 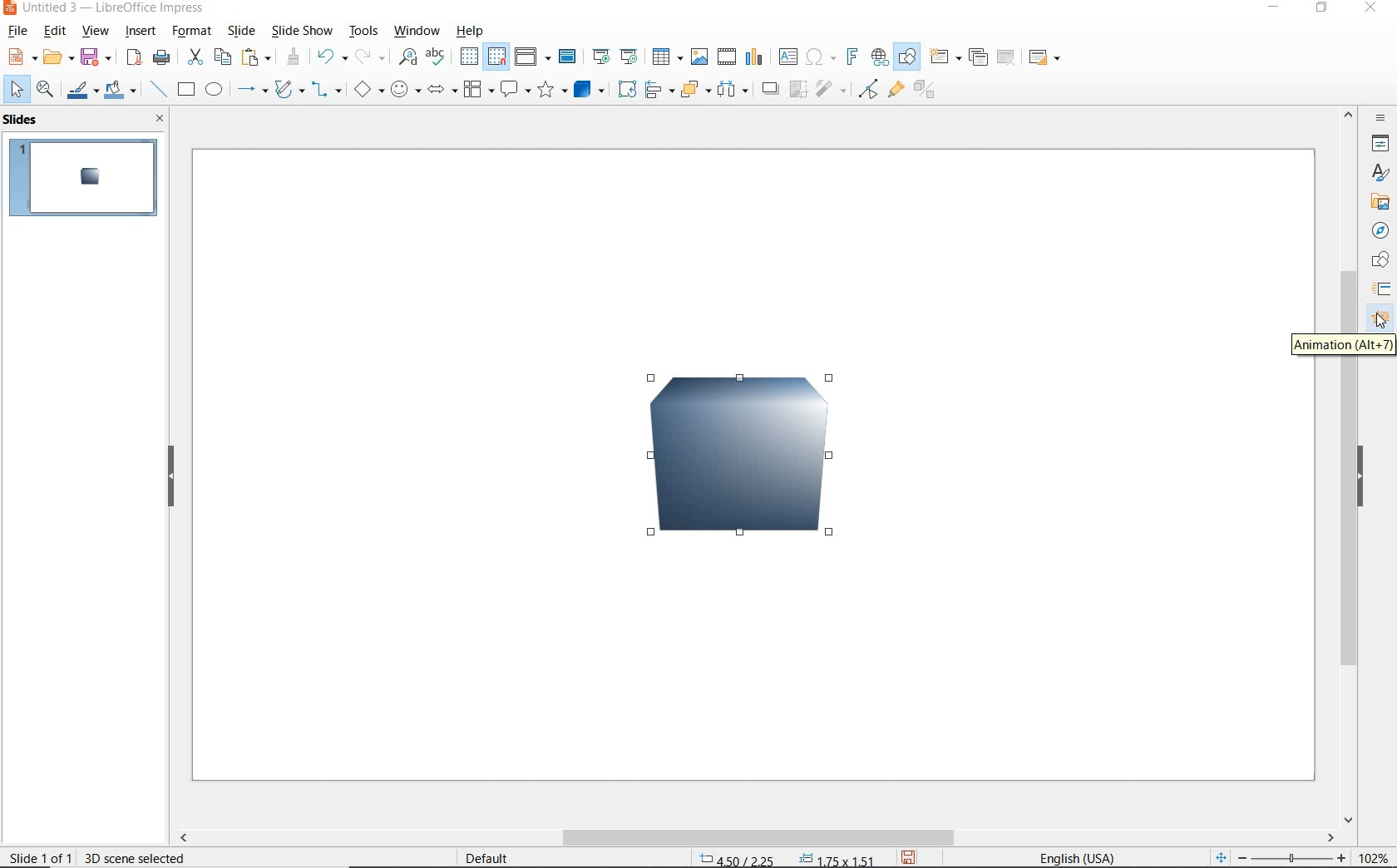 What do you see at coordinates (468, 56) in the screenshot?
I see `display grid` at bounding box center [468, 56].